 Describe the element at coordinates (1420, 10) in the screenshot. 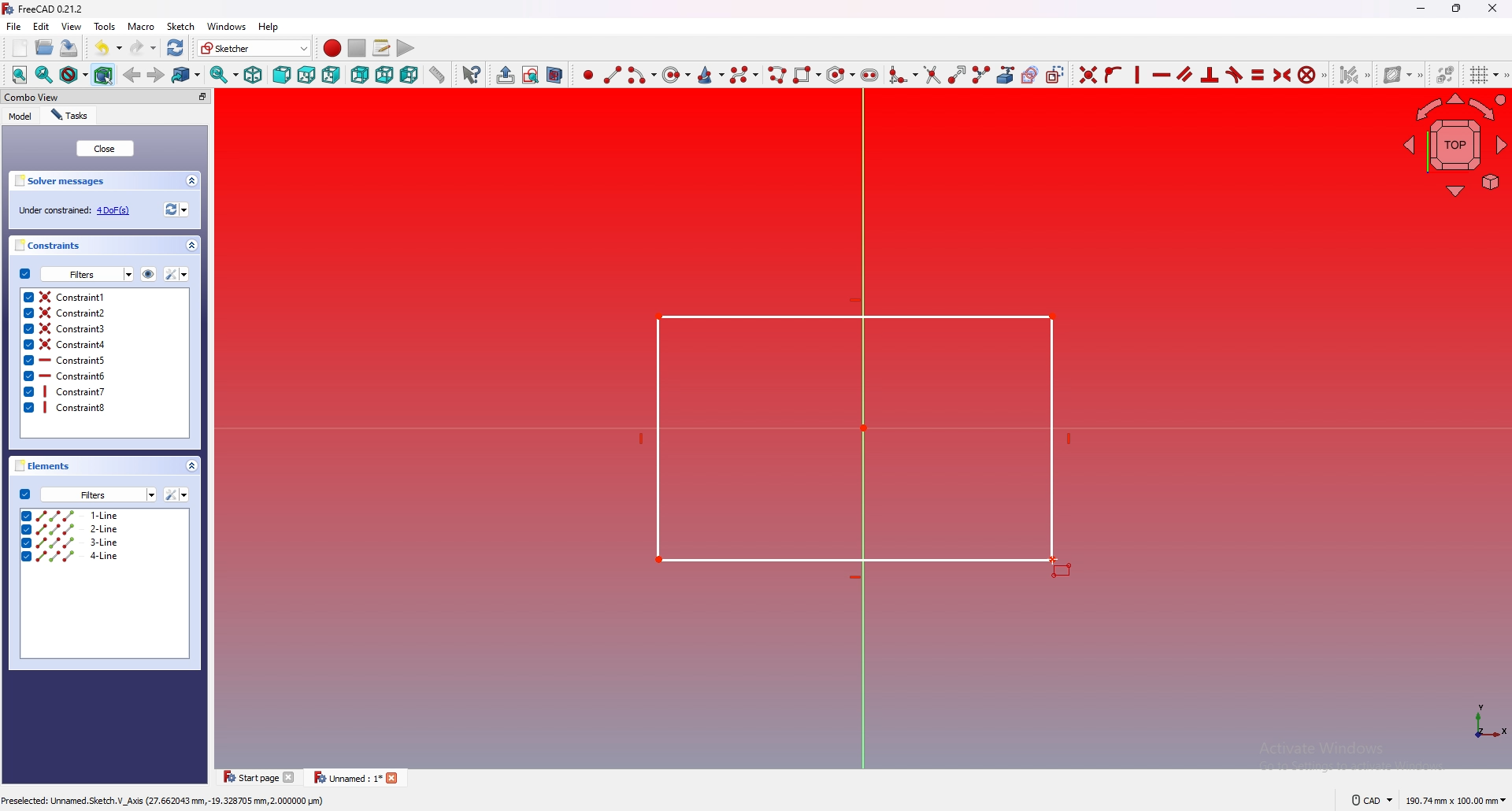

I see `minimize` at that location.